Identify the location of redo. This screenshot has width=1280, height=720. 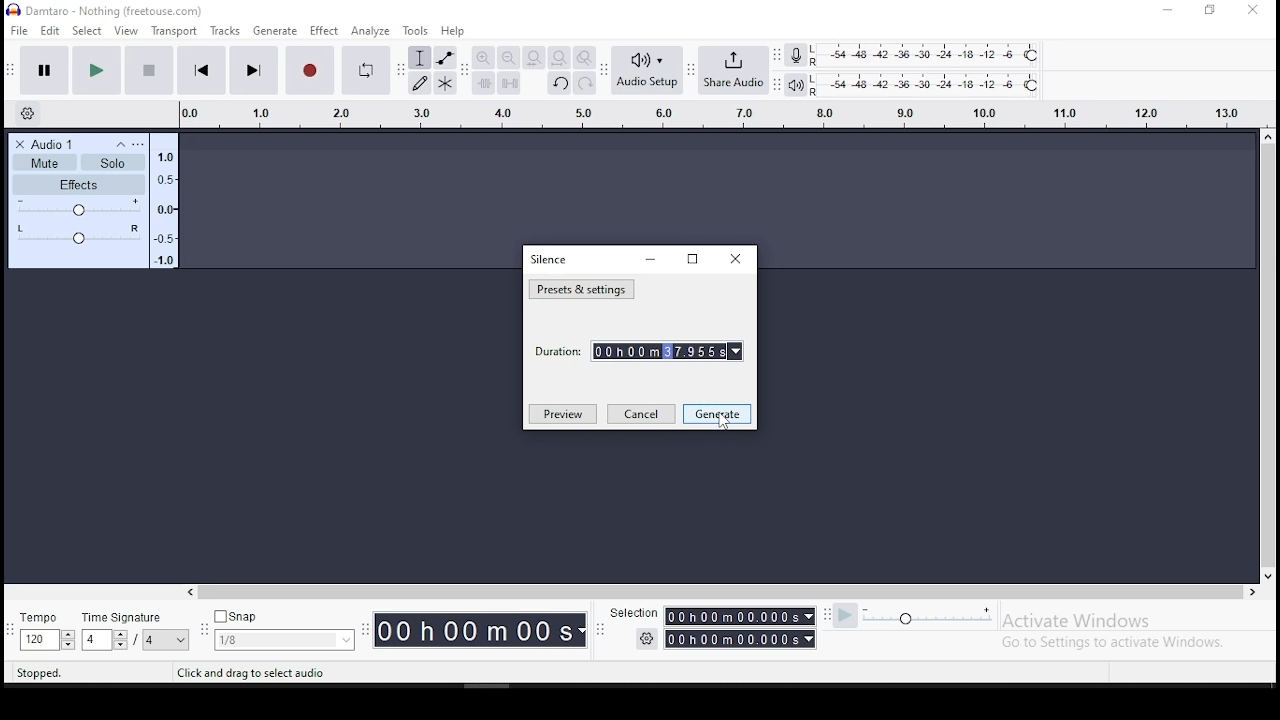
(585, 83).